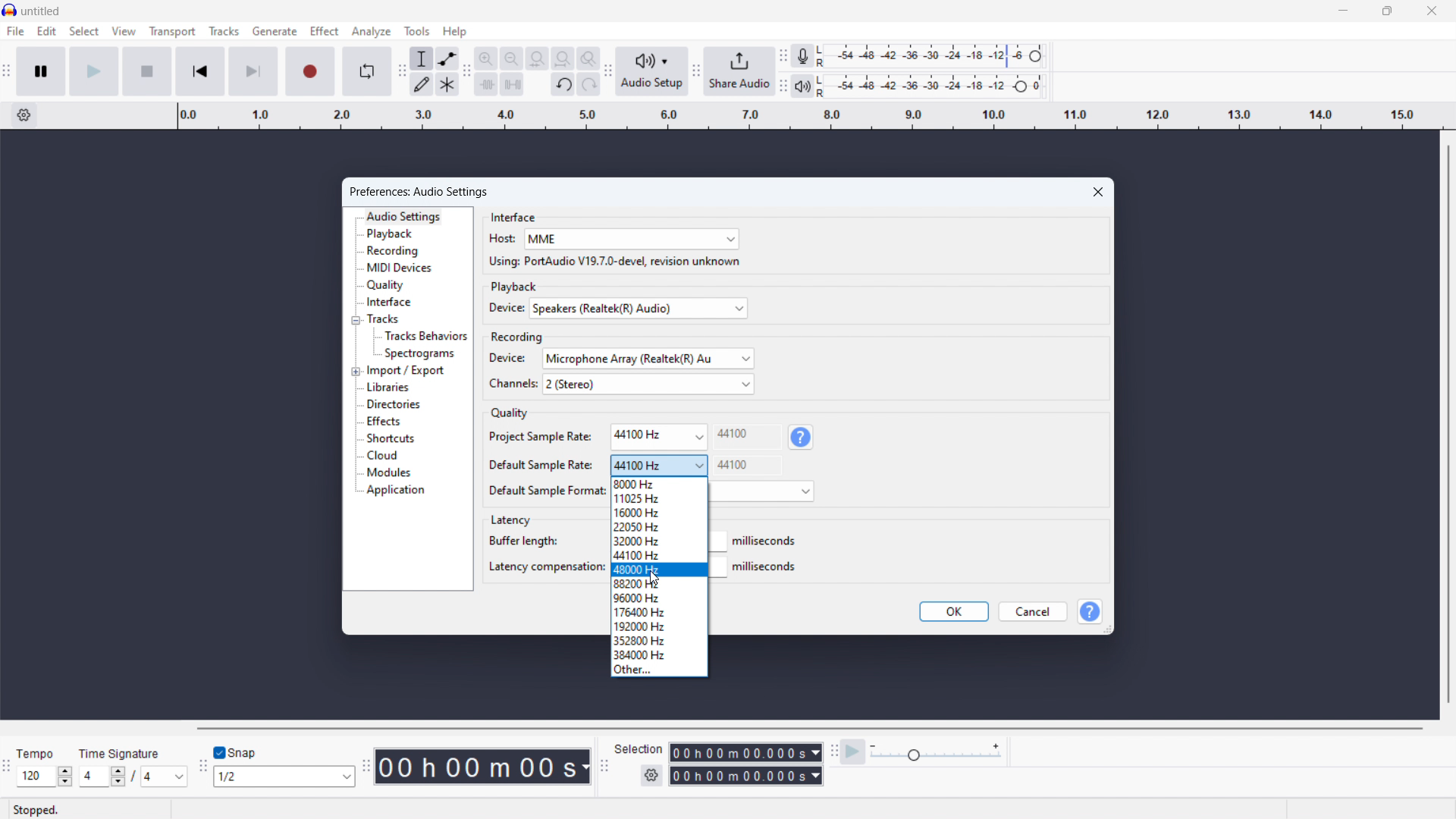 This screenshot has width=1456, height=819. Describe the element at coordinates (525, 540) in the screenshot. I see `buffer length` at that location.